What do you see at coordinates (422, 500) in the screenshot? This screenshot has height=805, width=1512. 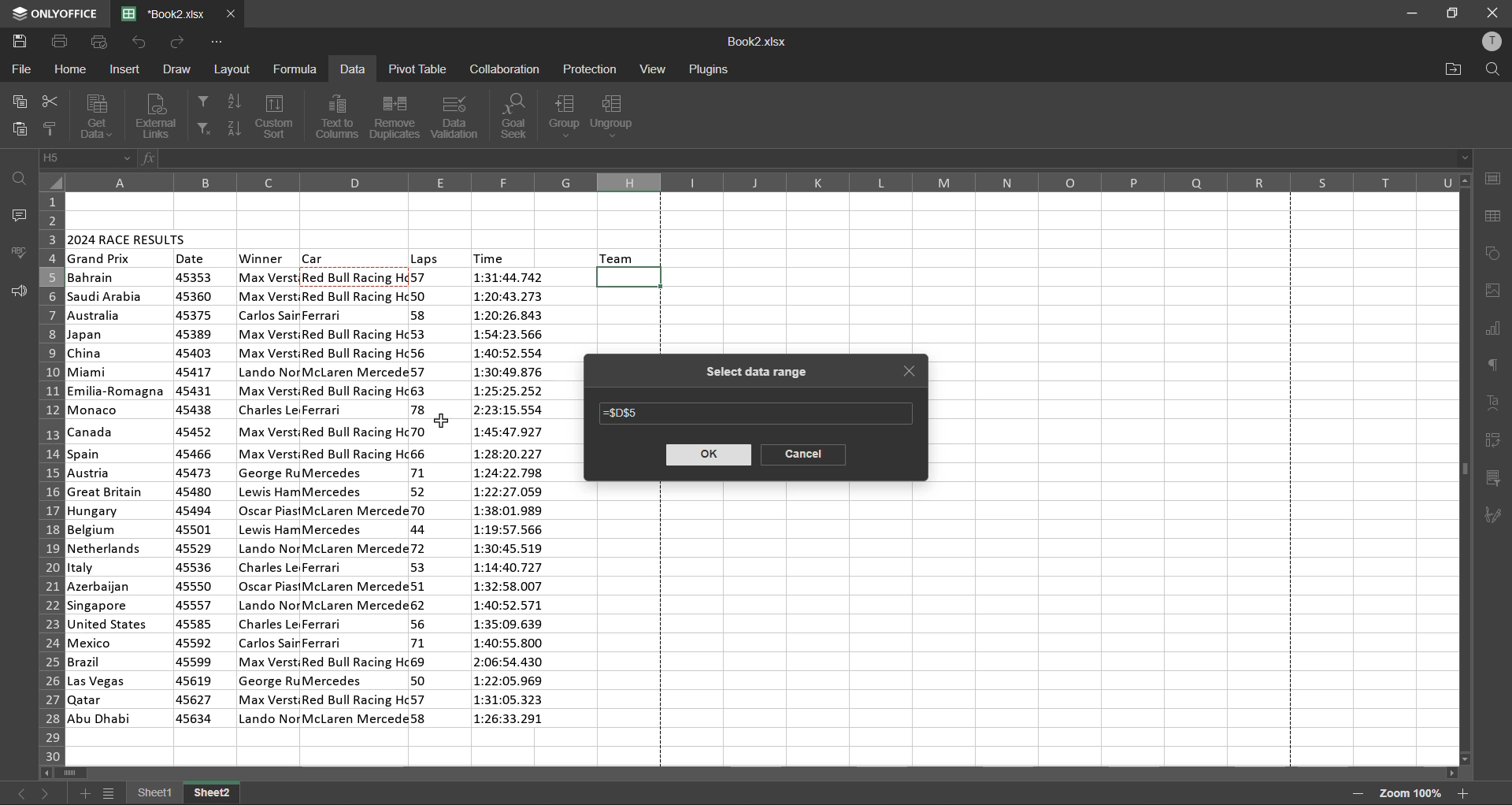 I see `laps` at bounding box center [422, 500].